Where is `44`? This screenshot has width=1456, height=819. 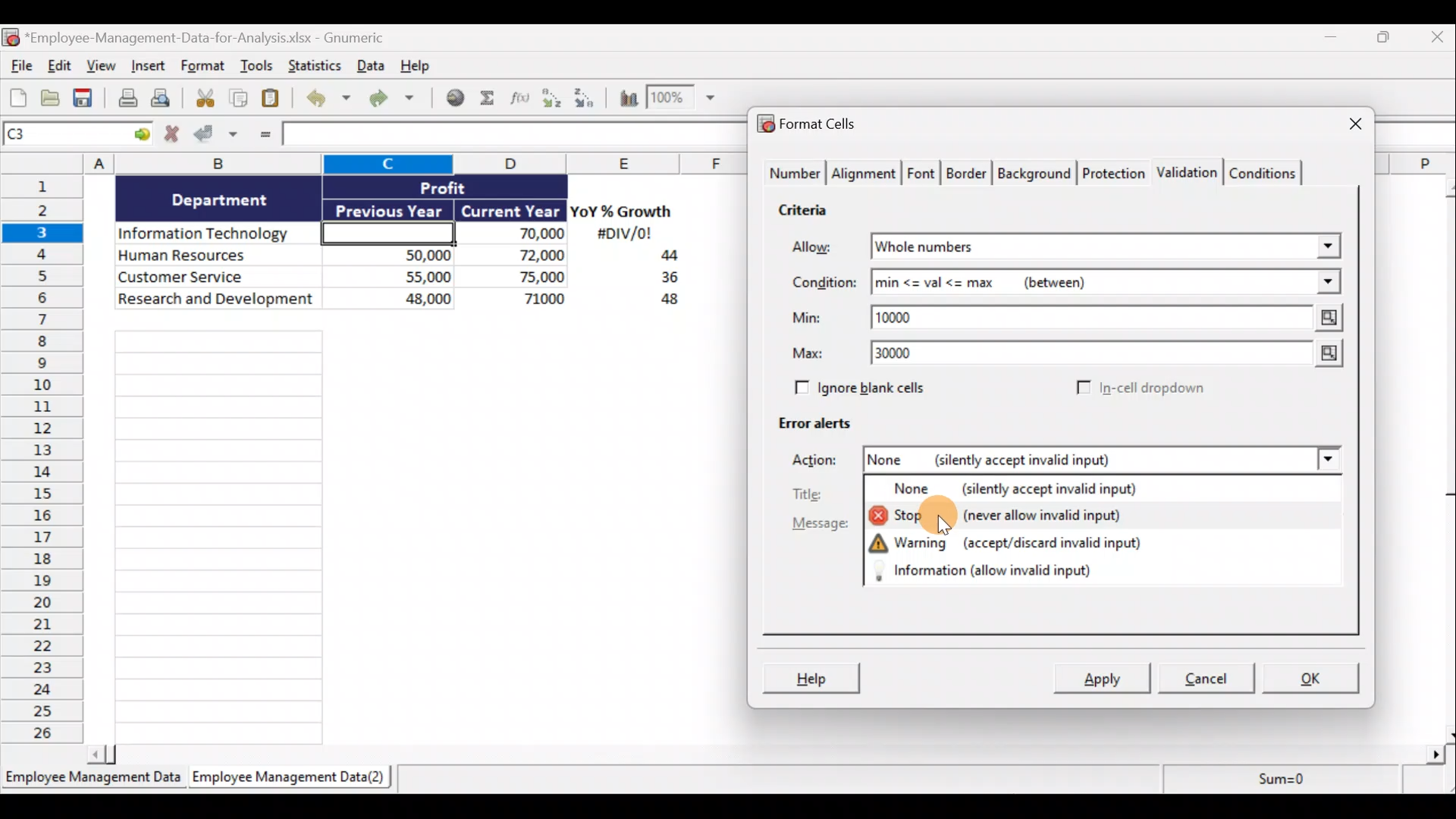 44 is located at coordinates (661, 257).